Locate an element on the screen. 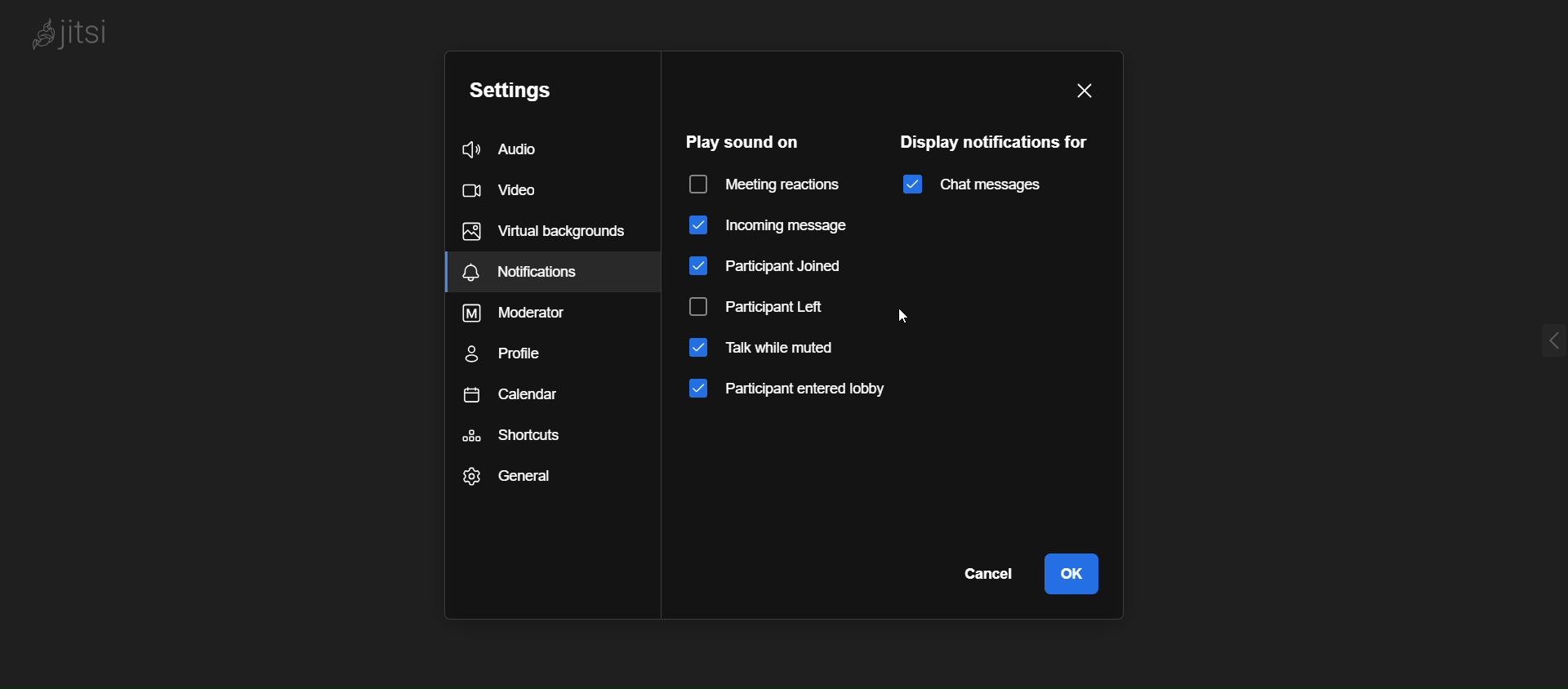 The width and height of the screenshot is (1568, 689). profile is located at coordinates (510, 353).